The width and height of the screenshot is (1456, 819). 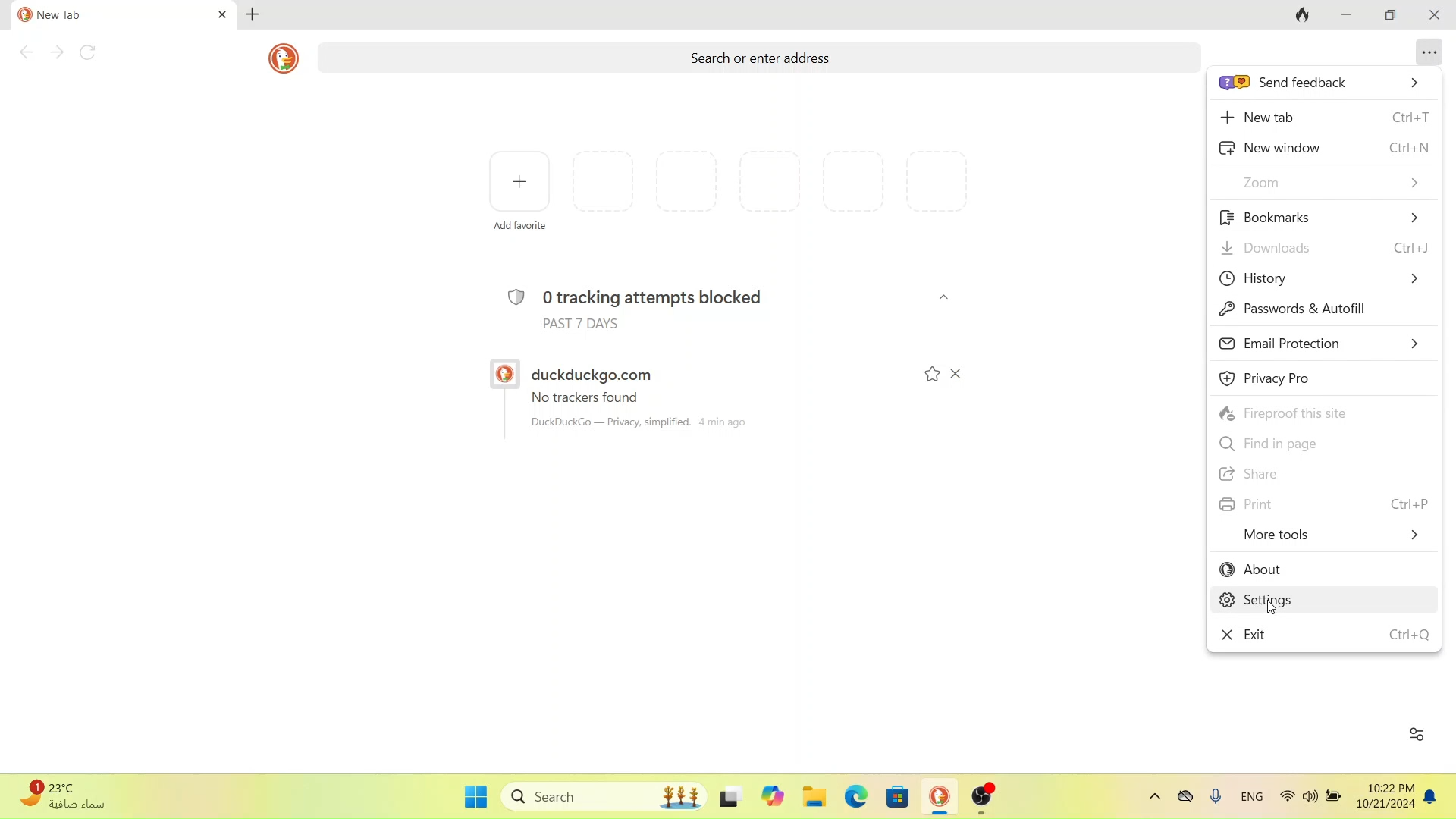 I want to click on close tab, so click(x=221, y=15).